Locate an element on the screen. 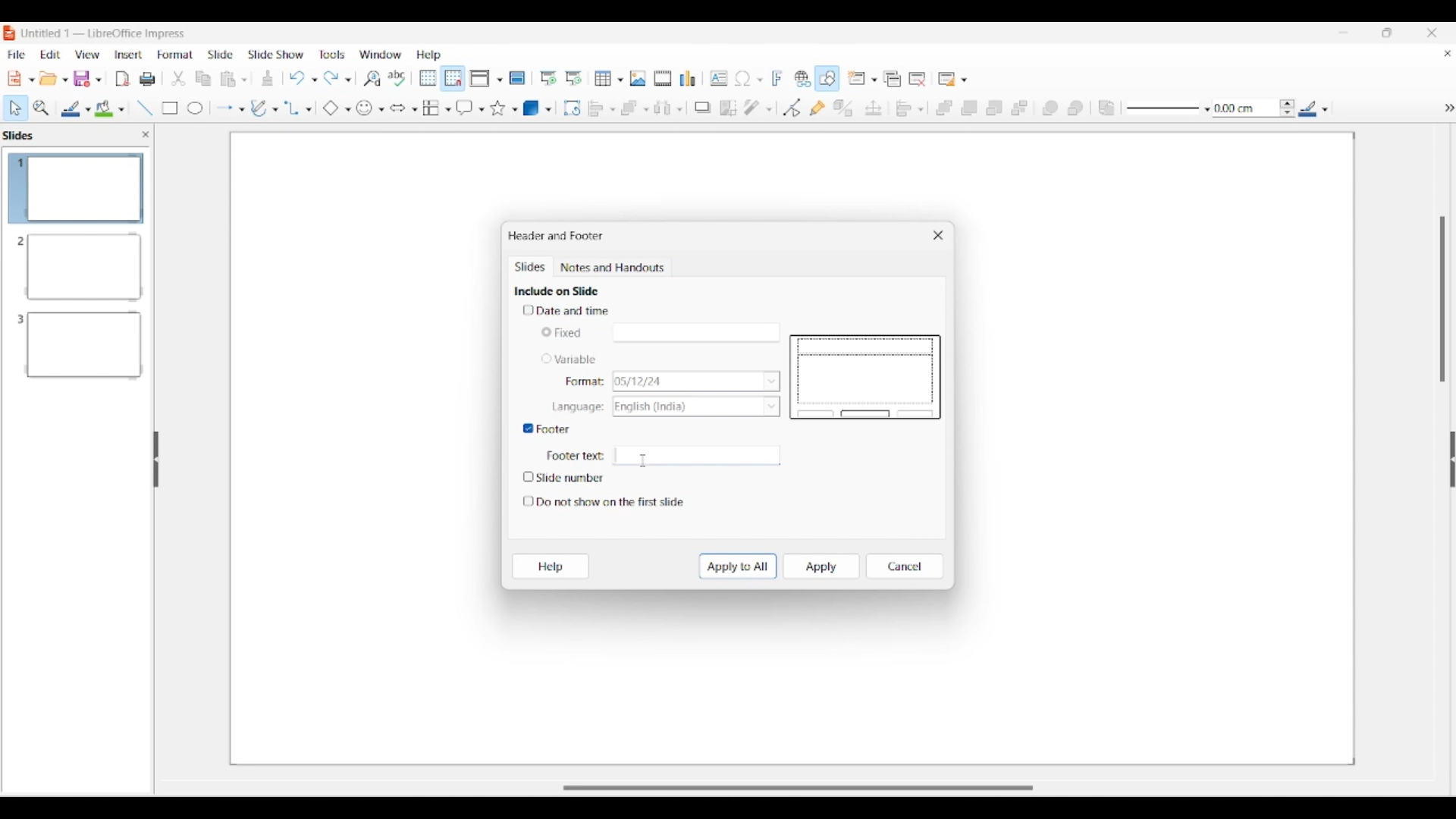 The height and width of the screenshot is (819, 1456). Insert framework text is located at coordinates (777, 78).